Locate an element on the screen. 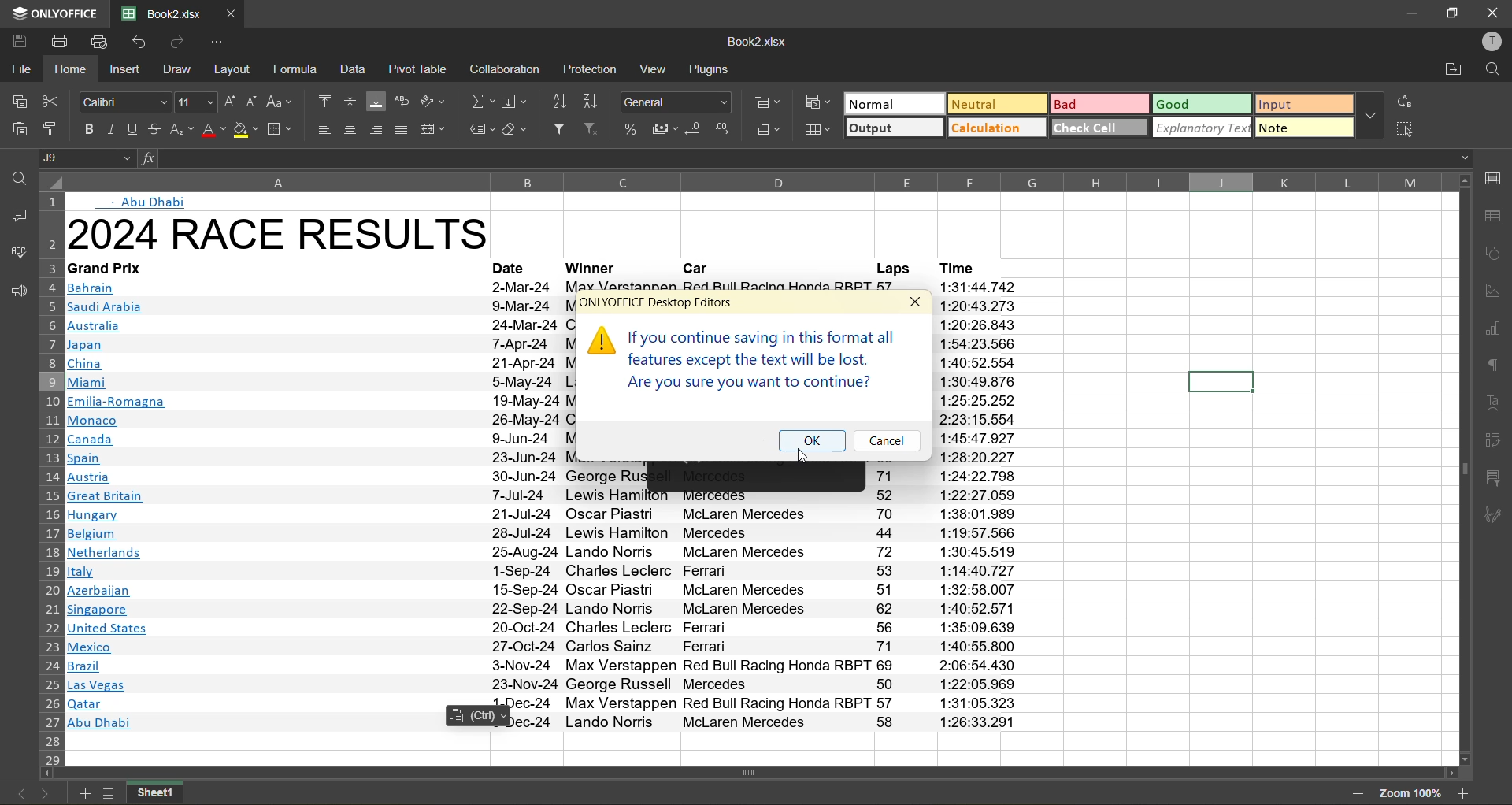 The image size is (1512, 805). text info is located at coordinates (320, 402).